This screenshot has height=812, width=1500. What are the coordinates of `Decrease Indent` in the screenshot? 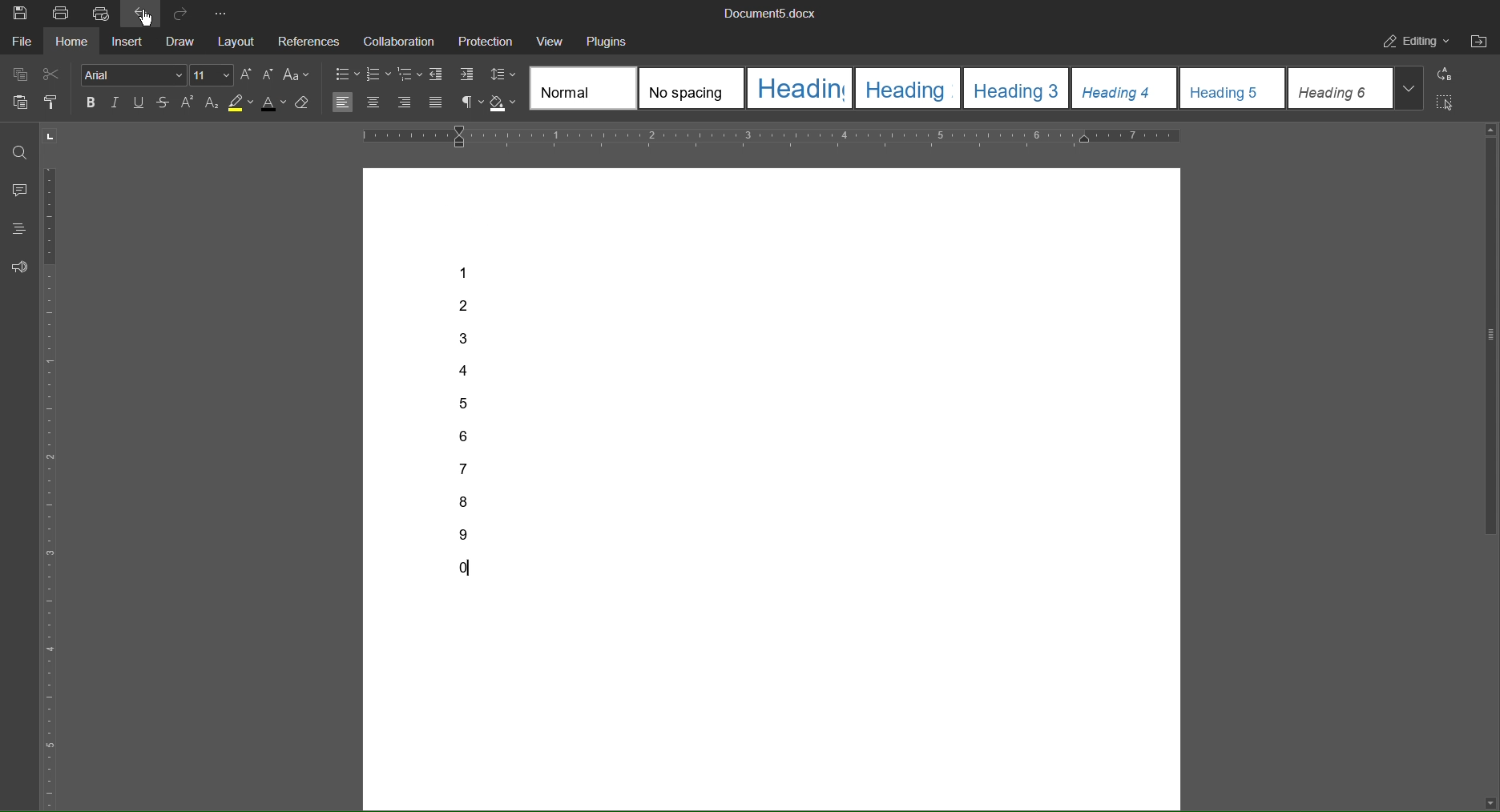 It's located at (438, 74).